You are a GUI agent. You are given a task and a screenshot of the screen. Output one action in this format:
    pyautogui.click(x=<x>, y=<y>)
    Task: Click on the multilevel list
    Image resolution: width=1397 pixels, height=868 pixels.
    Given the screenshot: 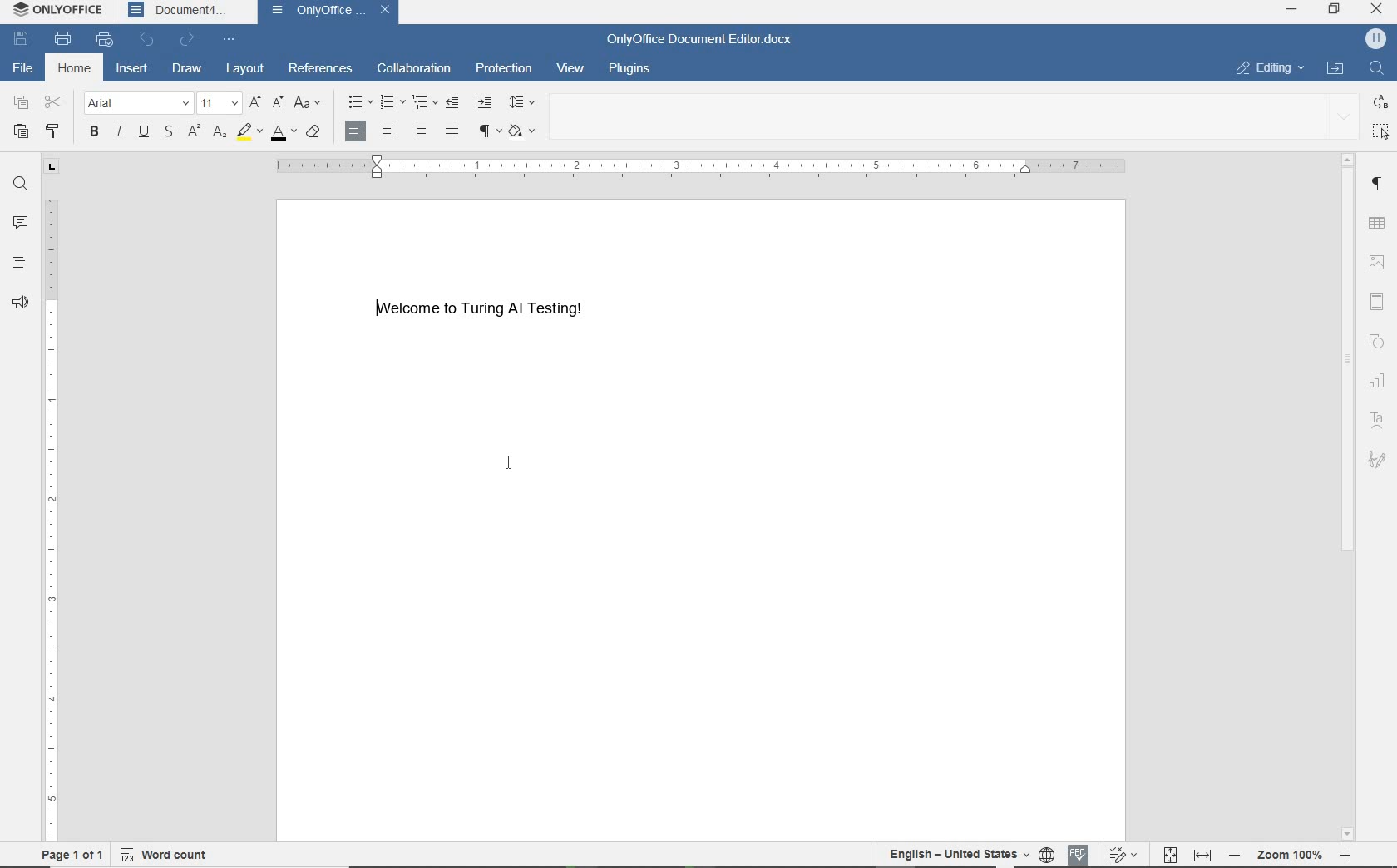 What is the action you would take?
    pyautogui.click(x=425, y=102)
    